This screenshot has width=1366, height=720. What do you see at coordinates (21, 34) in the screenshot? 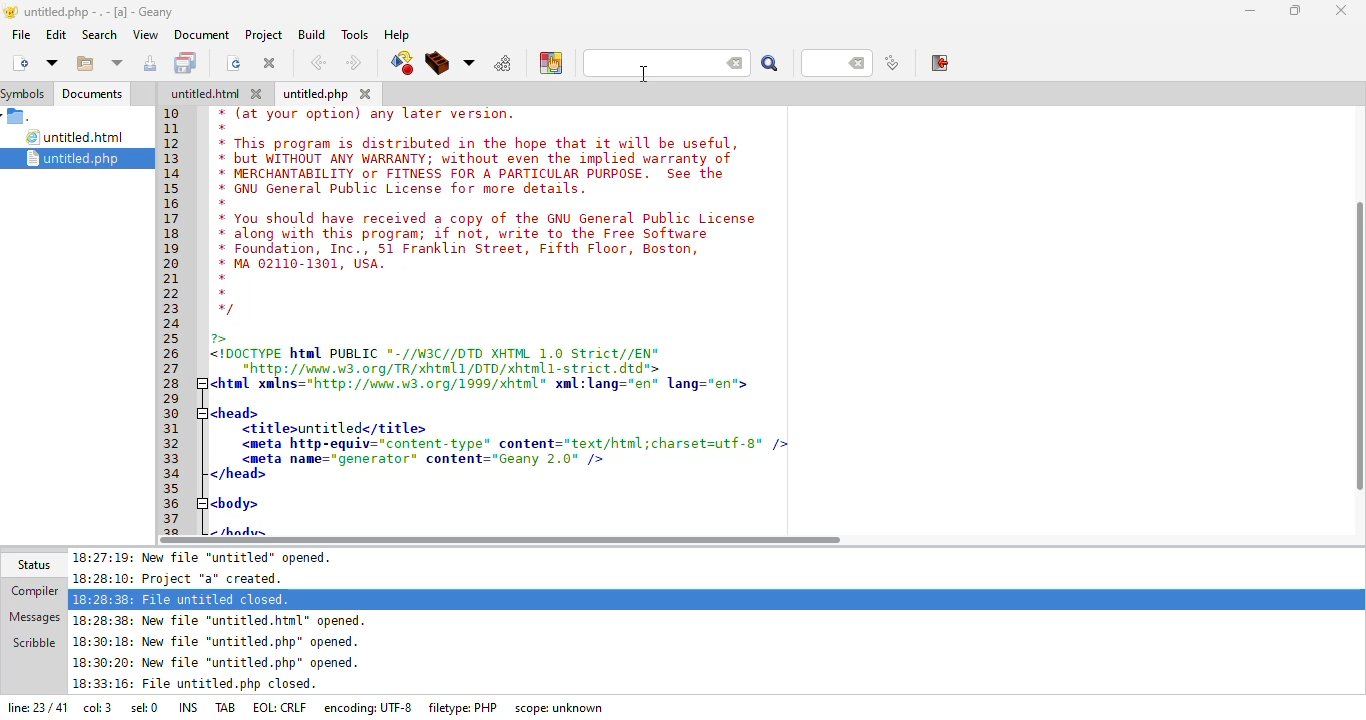
I see `file` at bounding box center [21, 34].